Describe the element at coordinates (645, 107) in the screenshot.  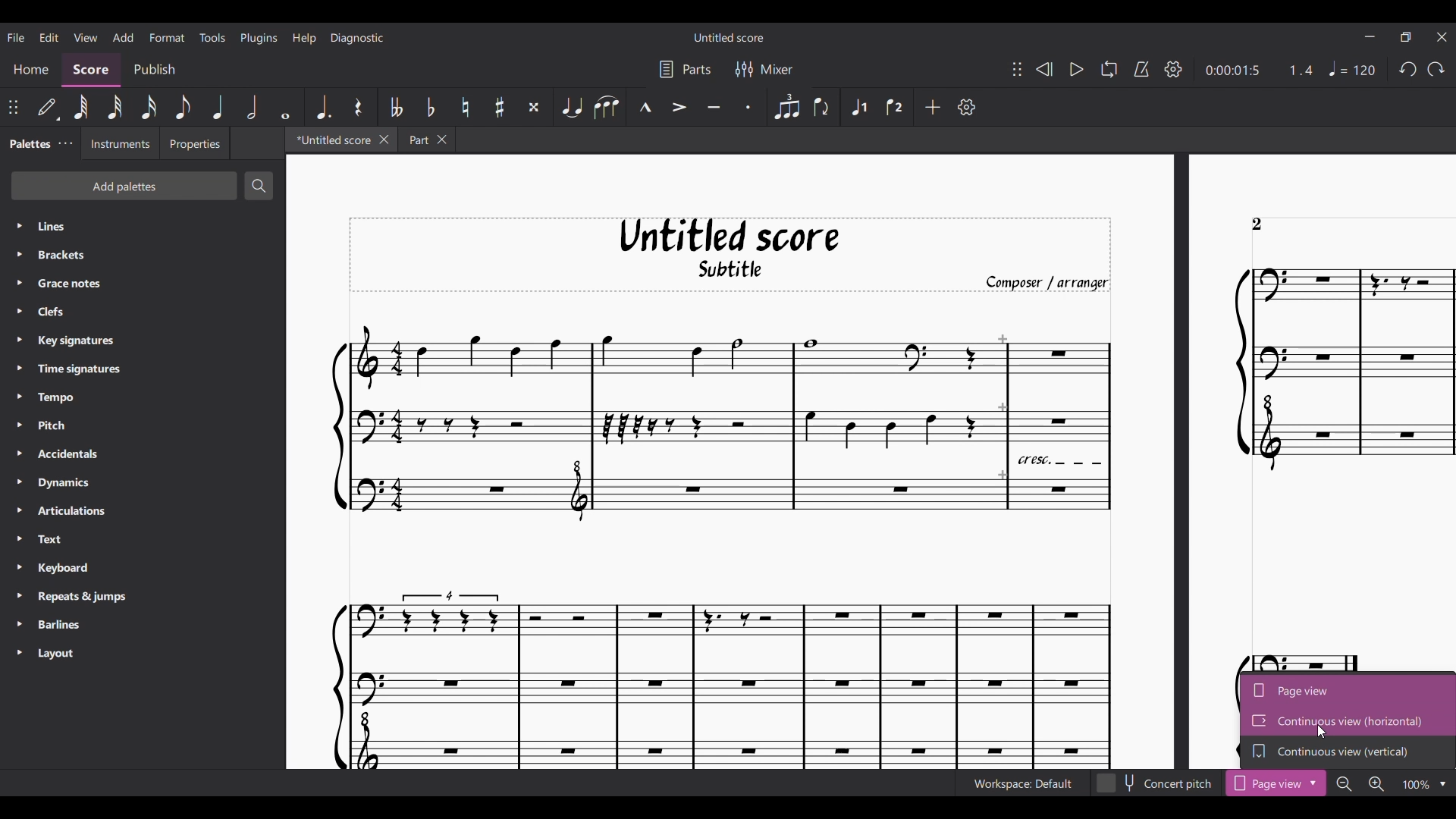
I see `Marcato` at that location.